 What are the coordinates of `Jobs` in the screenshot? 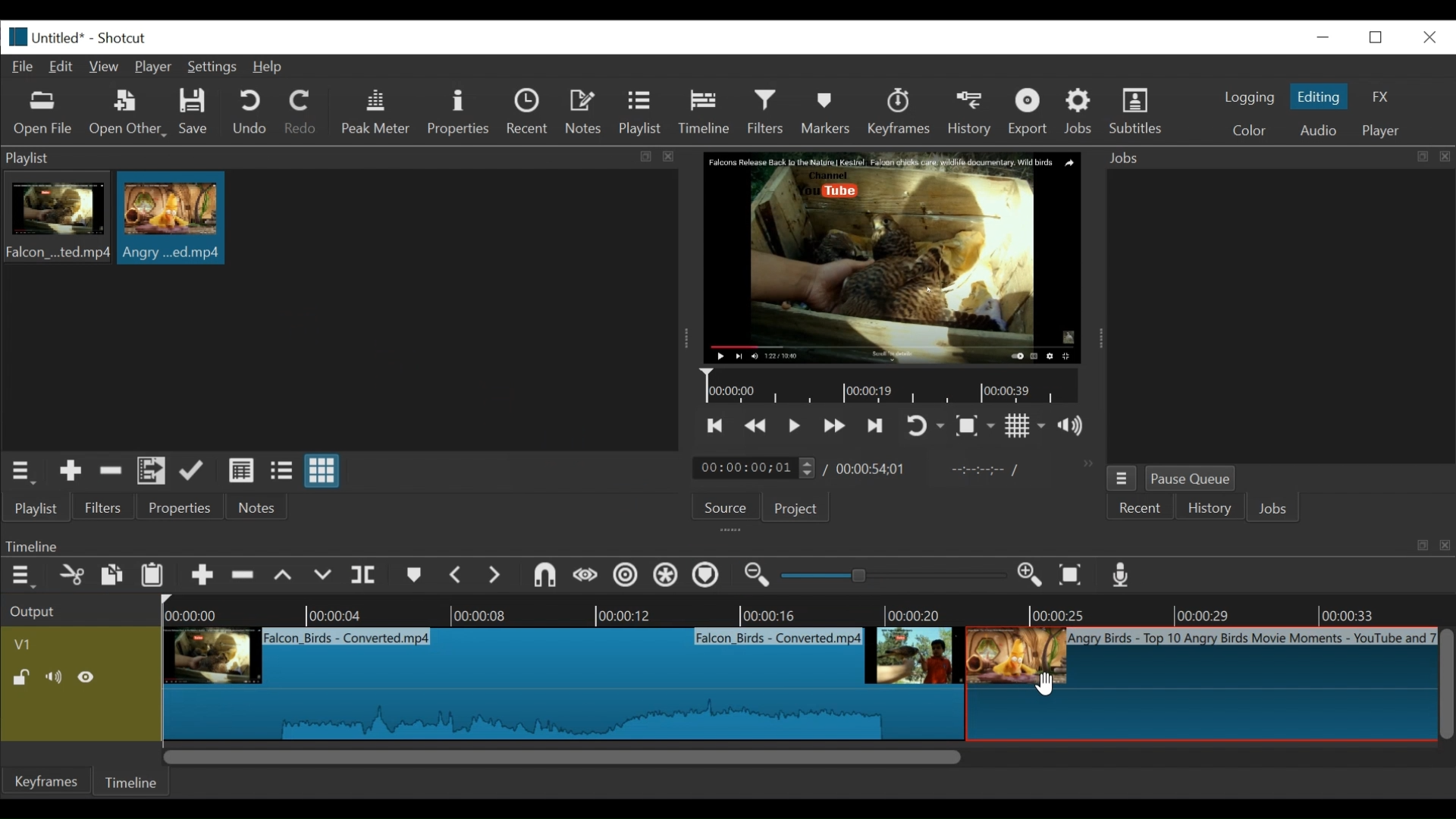 It's located at (1081, 111).